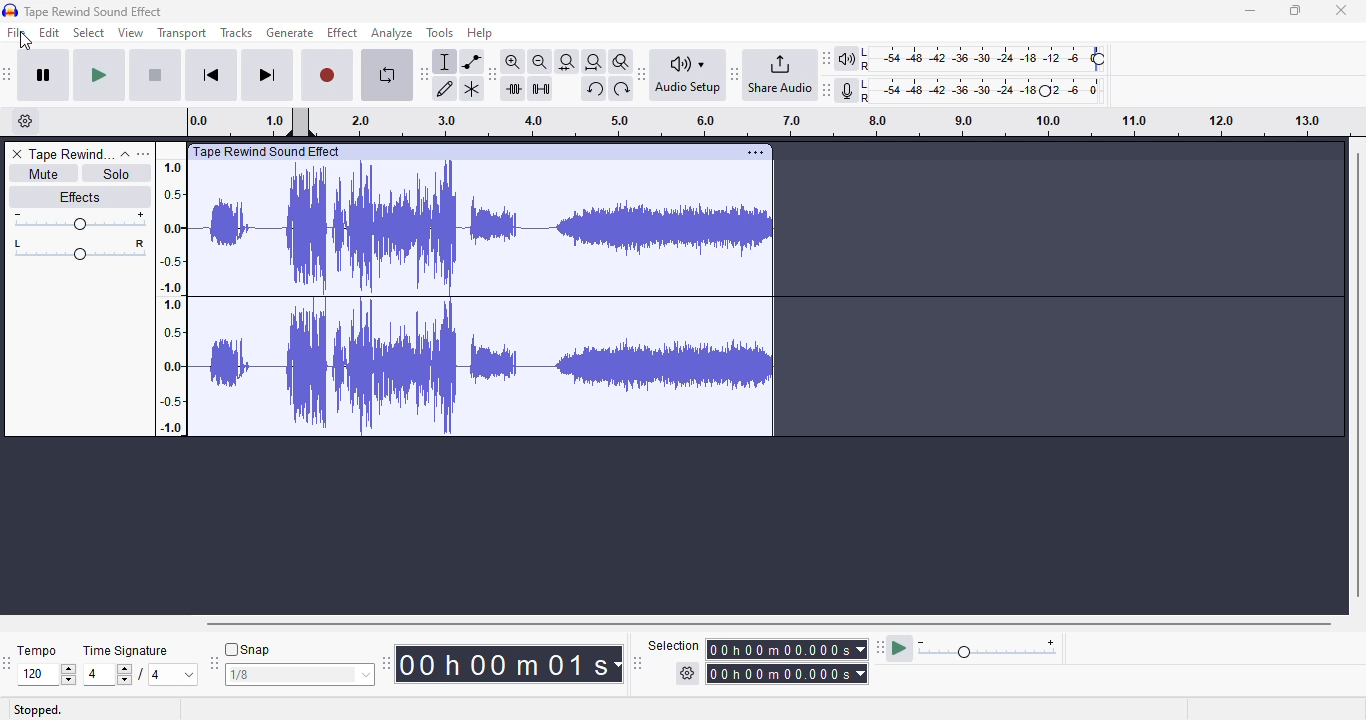 The height and width of the screenshot is (720, 1366). What do you see at coordinates (126, 154) in the screenshot?
I see `collapse` at bounding box center [126, 154].